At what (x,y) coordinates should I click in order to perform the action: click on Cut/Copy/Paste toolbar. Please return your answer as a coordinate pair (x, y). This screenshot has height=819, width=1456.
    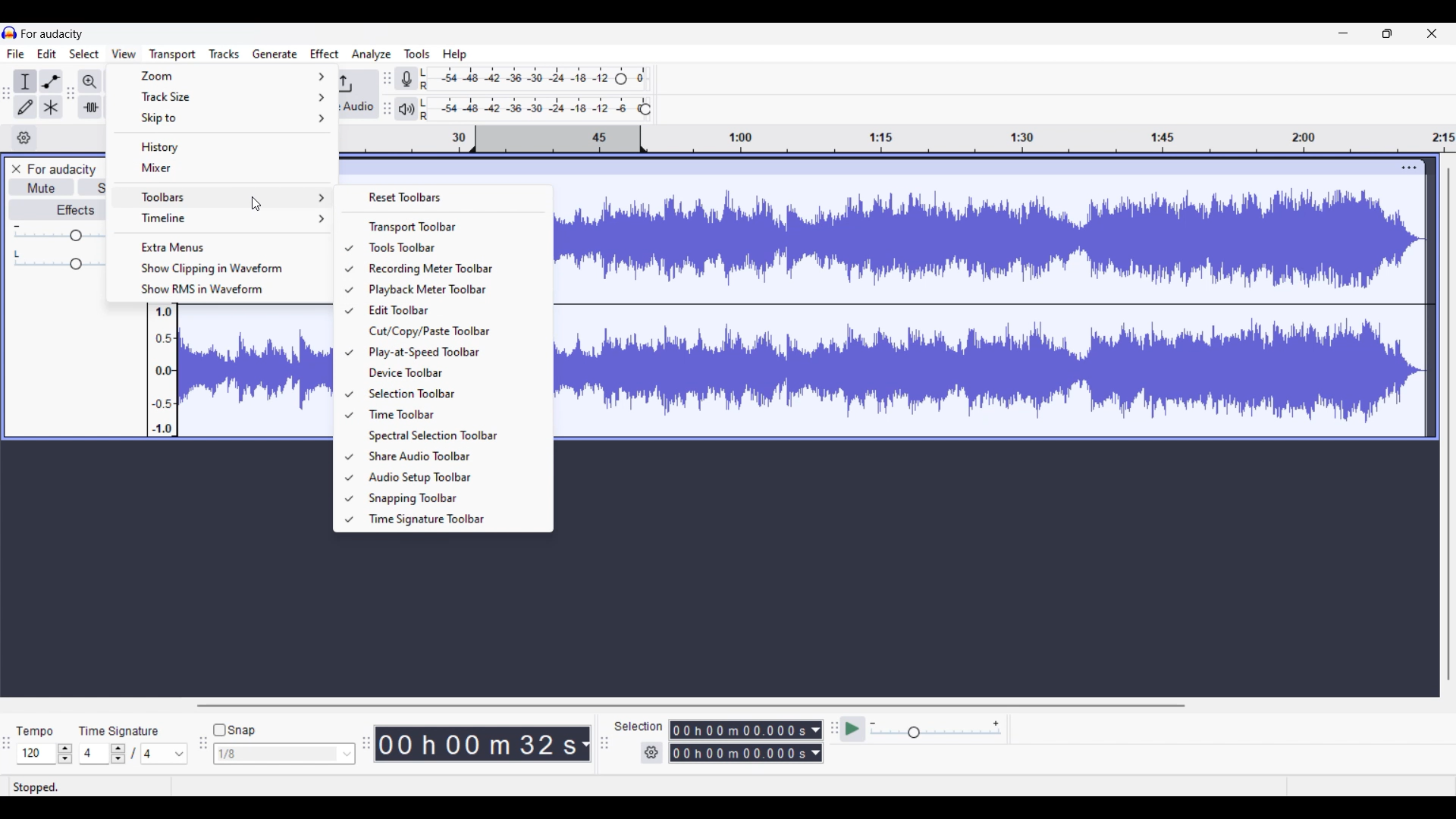
    Looking at the image, I should click on (454, 331).